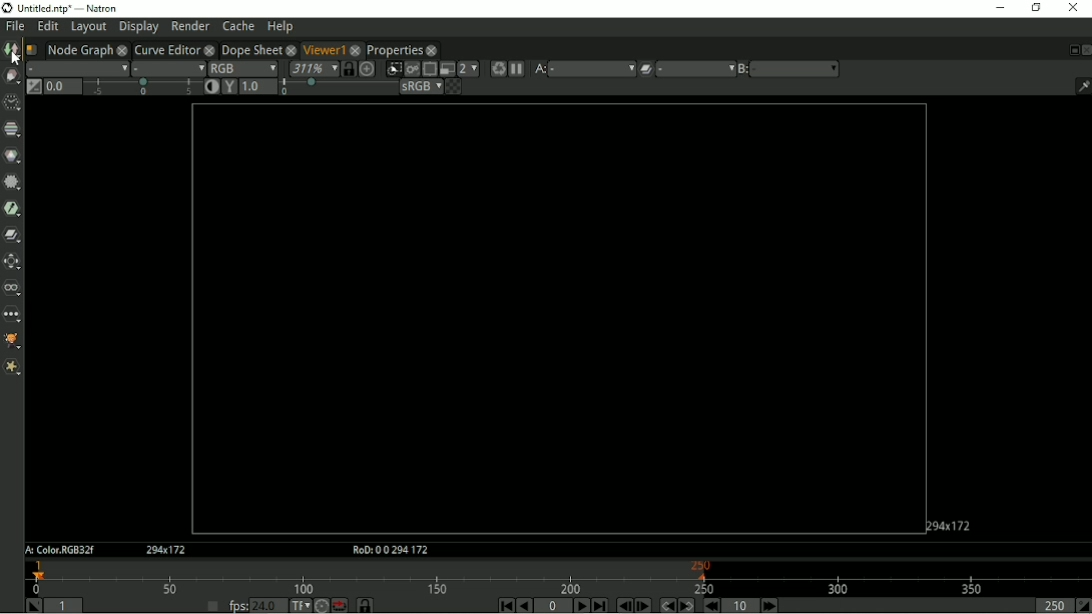  I want to click on B, so click(742, 69).